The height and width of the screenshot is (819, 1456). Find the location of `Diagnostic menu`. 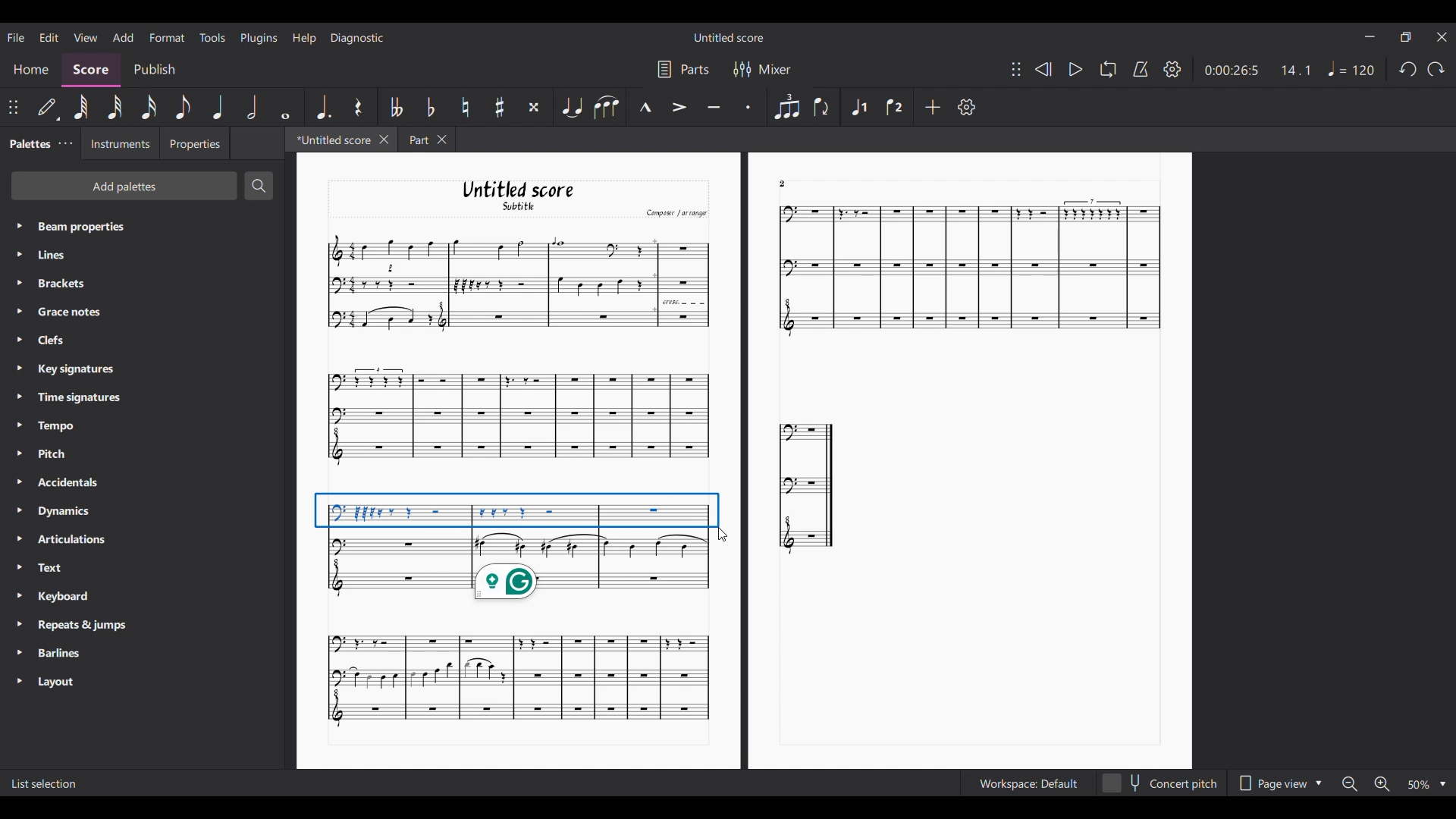

Diagnostic menu is located at coordinates (358, 38).